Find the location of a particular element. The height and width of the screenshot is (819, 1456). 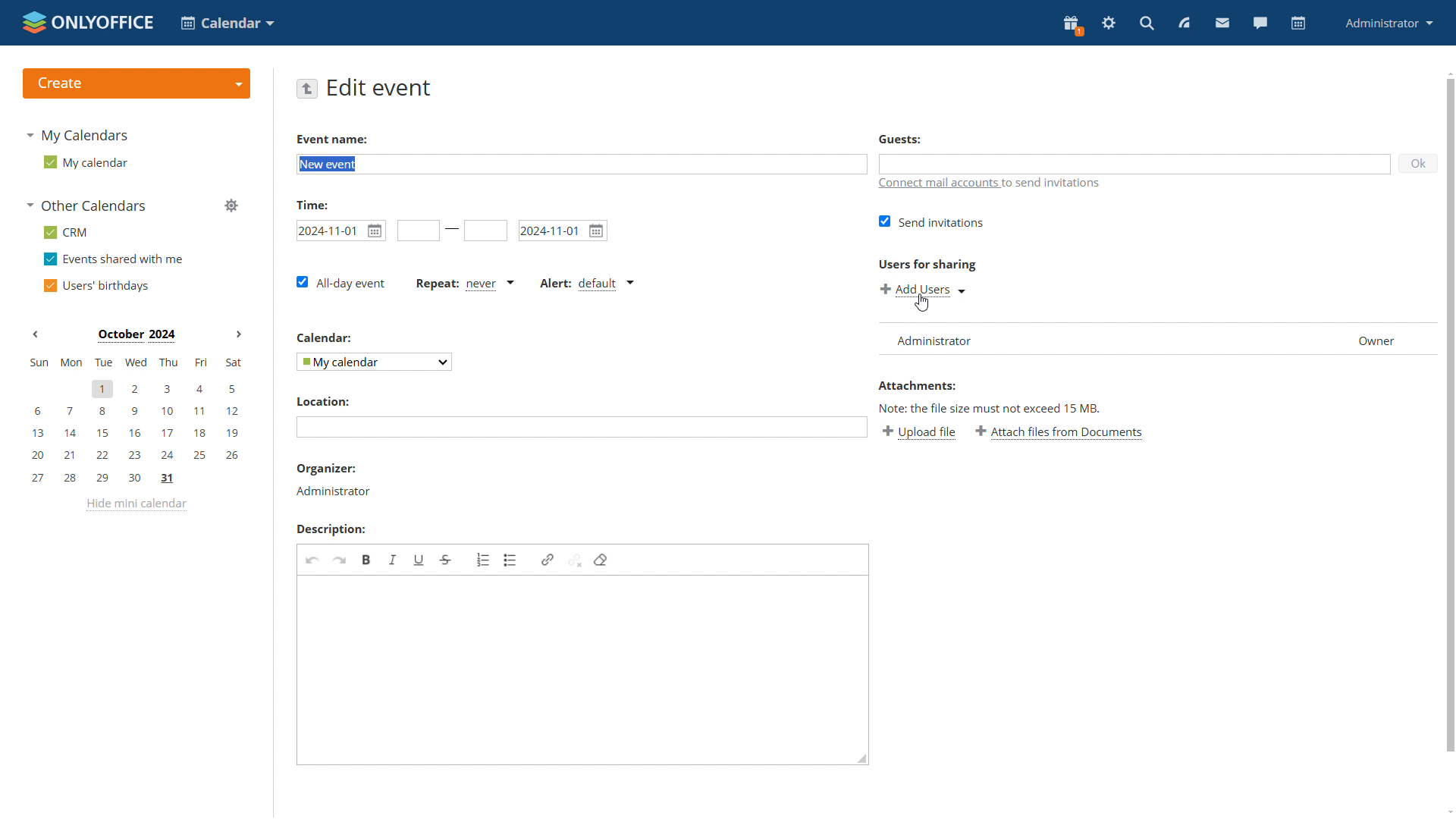

ok is located at coordinates (1419, 164).